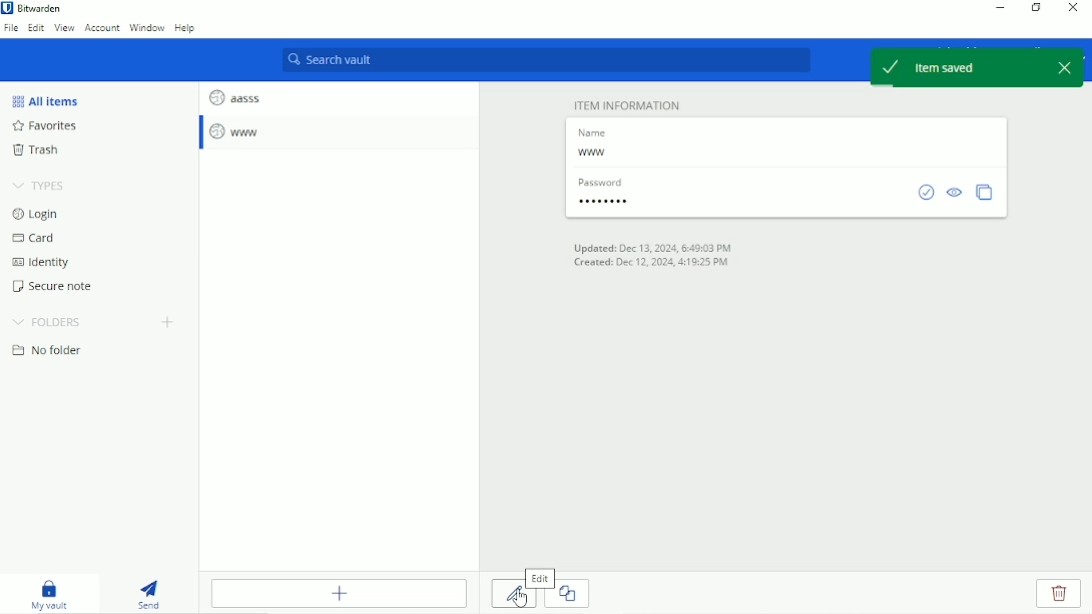 Image resolution: width=1092 pixels, height=614 pixels. I want to click on Login, so click(35, 214).